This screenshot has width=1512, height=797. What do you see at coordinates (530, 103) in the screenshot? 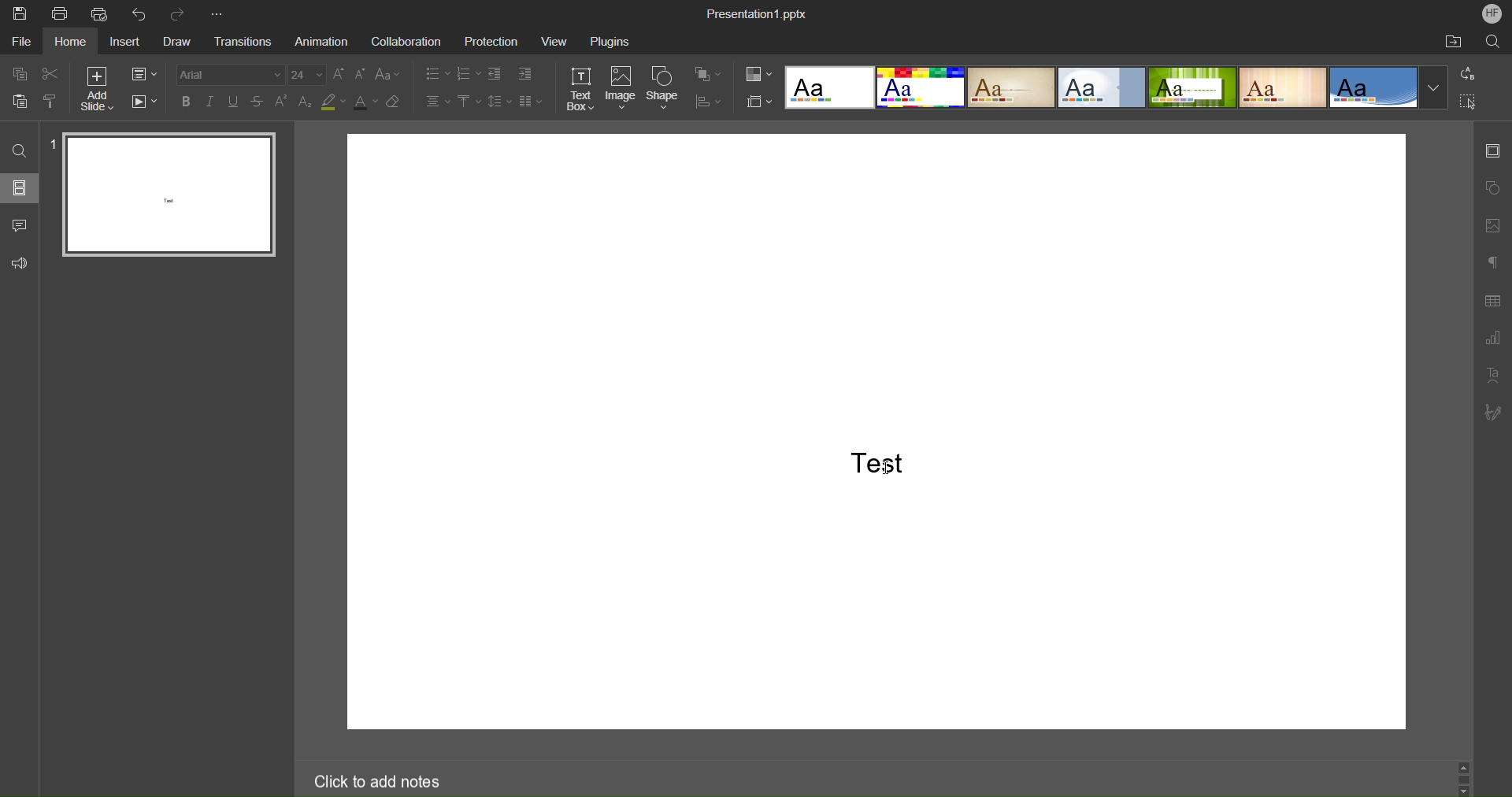
I see `Columns` at bounding box center [530, 103].